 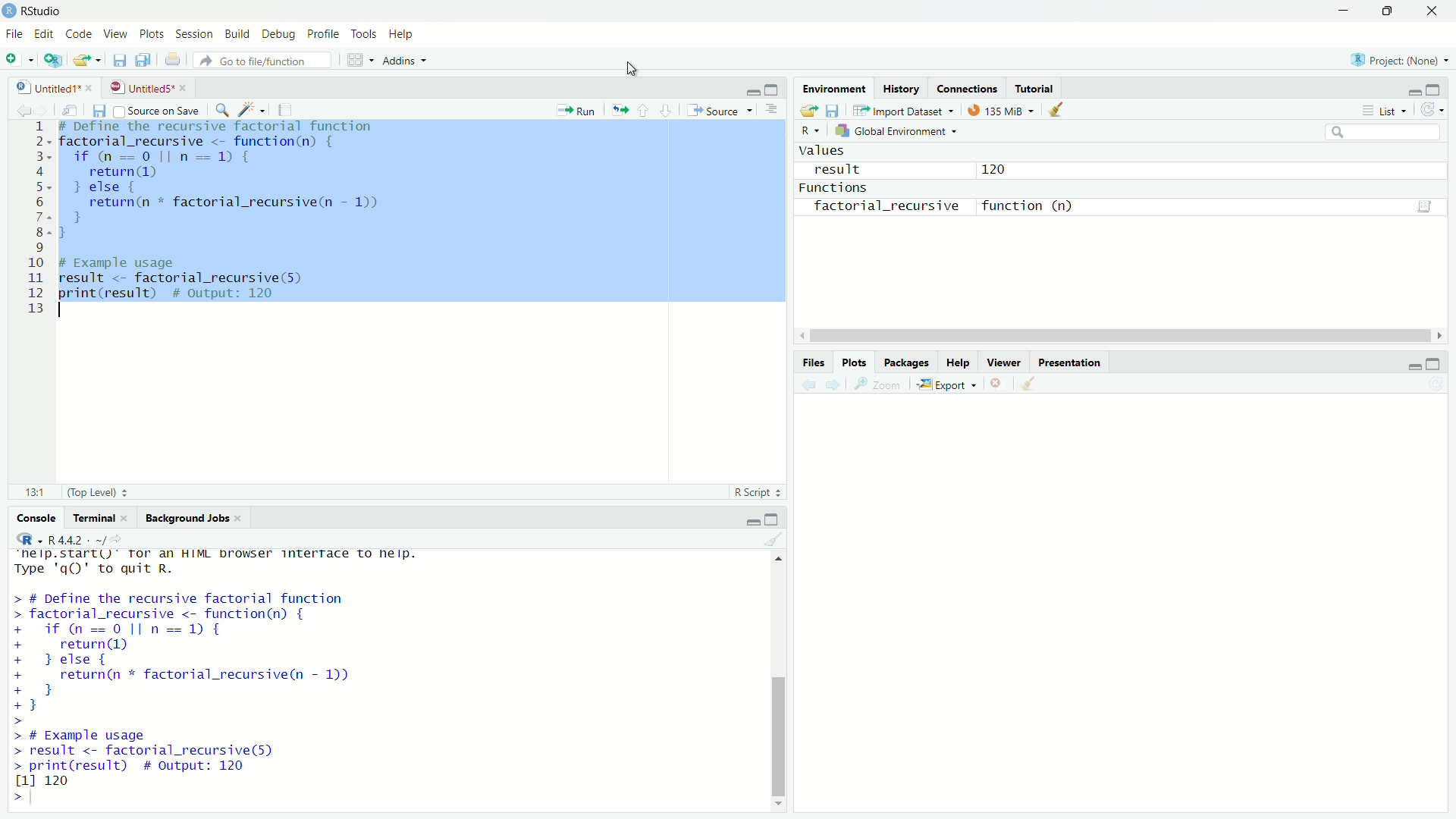 What do you see at coordinates (1426, 13) in the screenshot?
I see `Close` at bounding box center [1426, 13].